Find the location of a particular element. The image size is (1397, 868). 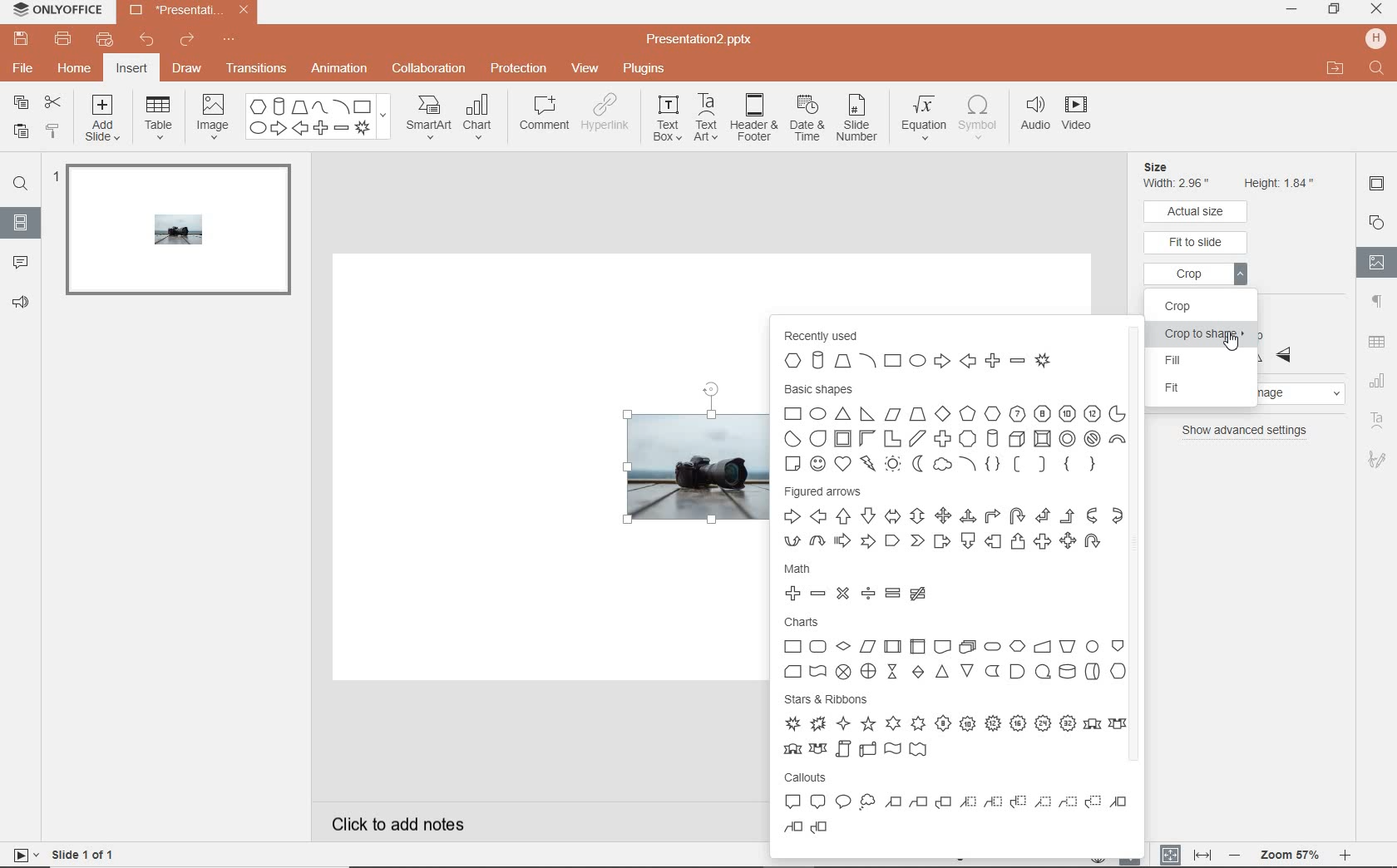

slides is located at coordinates (20, 223).